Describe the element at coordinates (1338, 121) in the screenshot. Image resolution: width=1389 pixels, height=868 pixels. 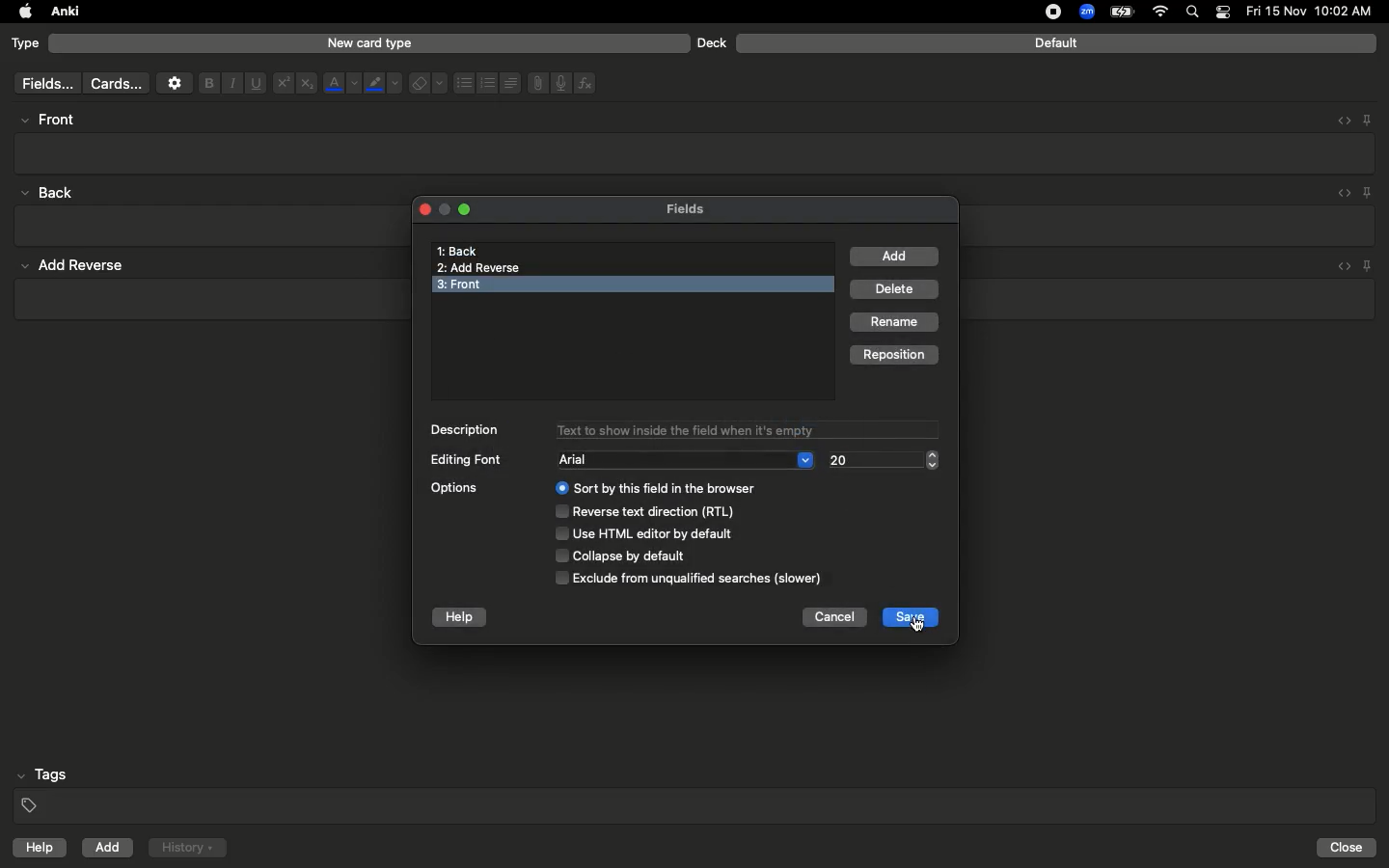
I see `Embed` at that location.